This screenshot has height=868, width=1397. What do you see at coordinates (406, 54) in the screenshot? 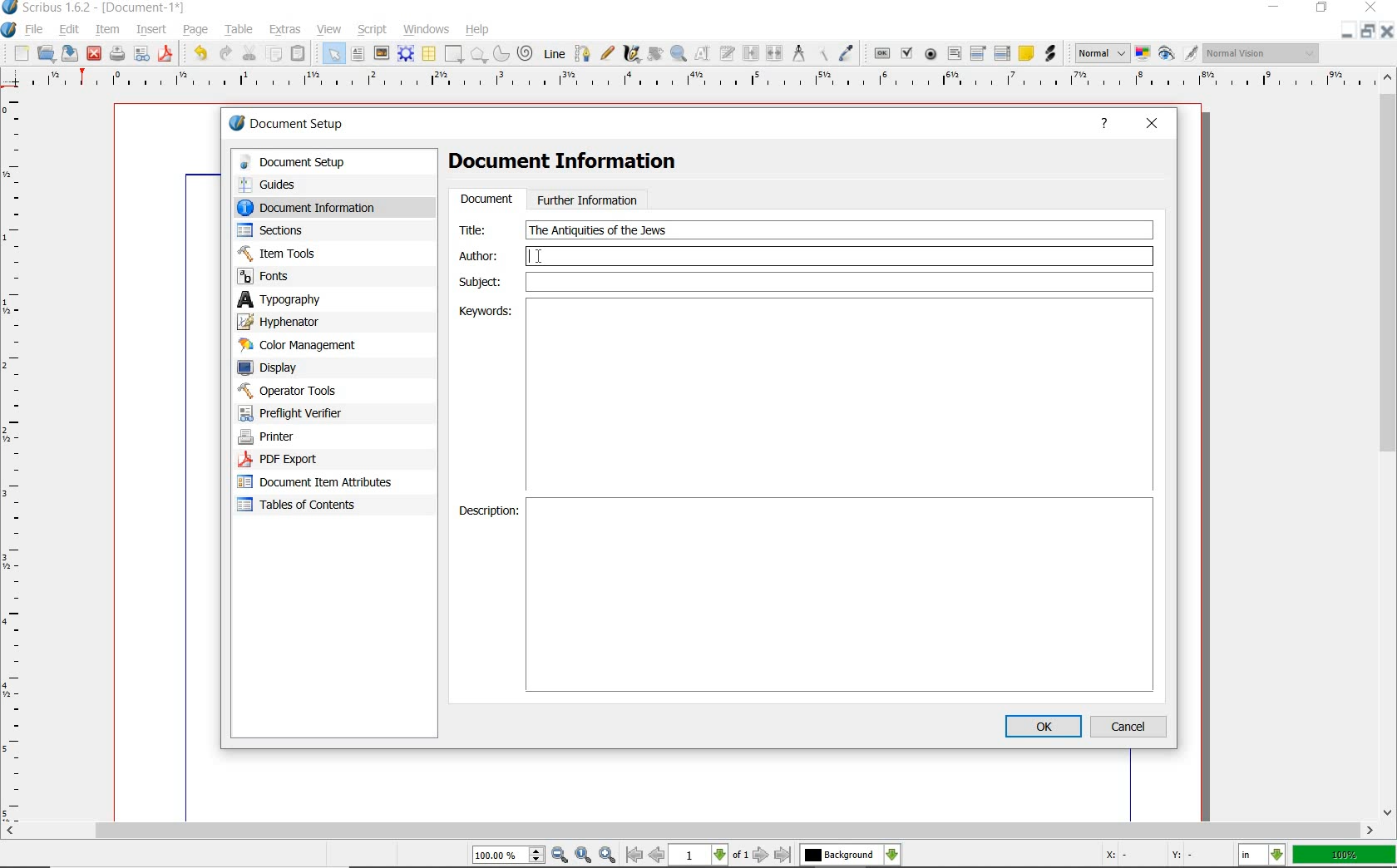
I see `render frame` at bounding box center [406, 54].